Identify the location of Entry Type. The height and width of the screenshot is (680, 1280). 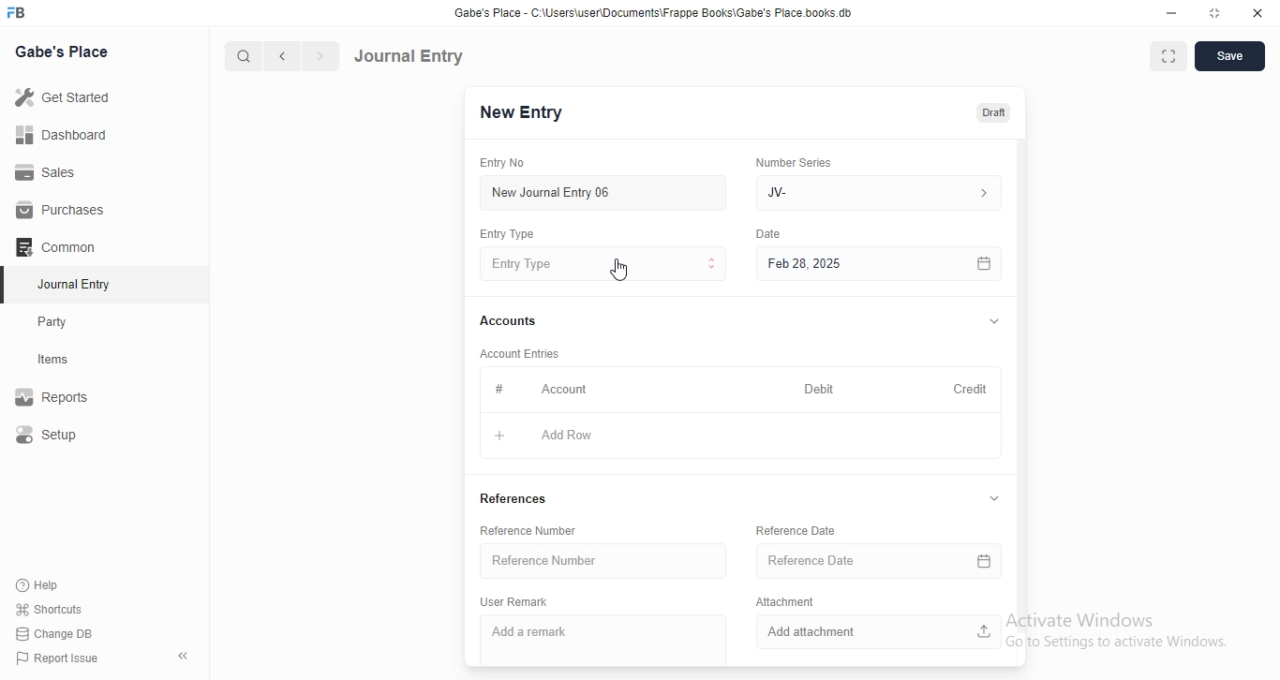
(602, 264).